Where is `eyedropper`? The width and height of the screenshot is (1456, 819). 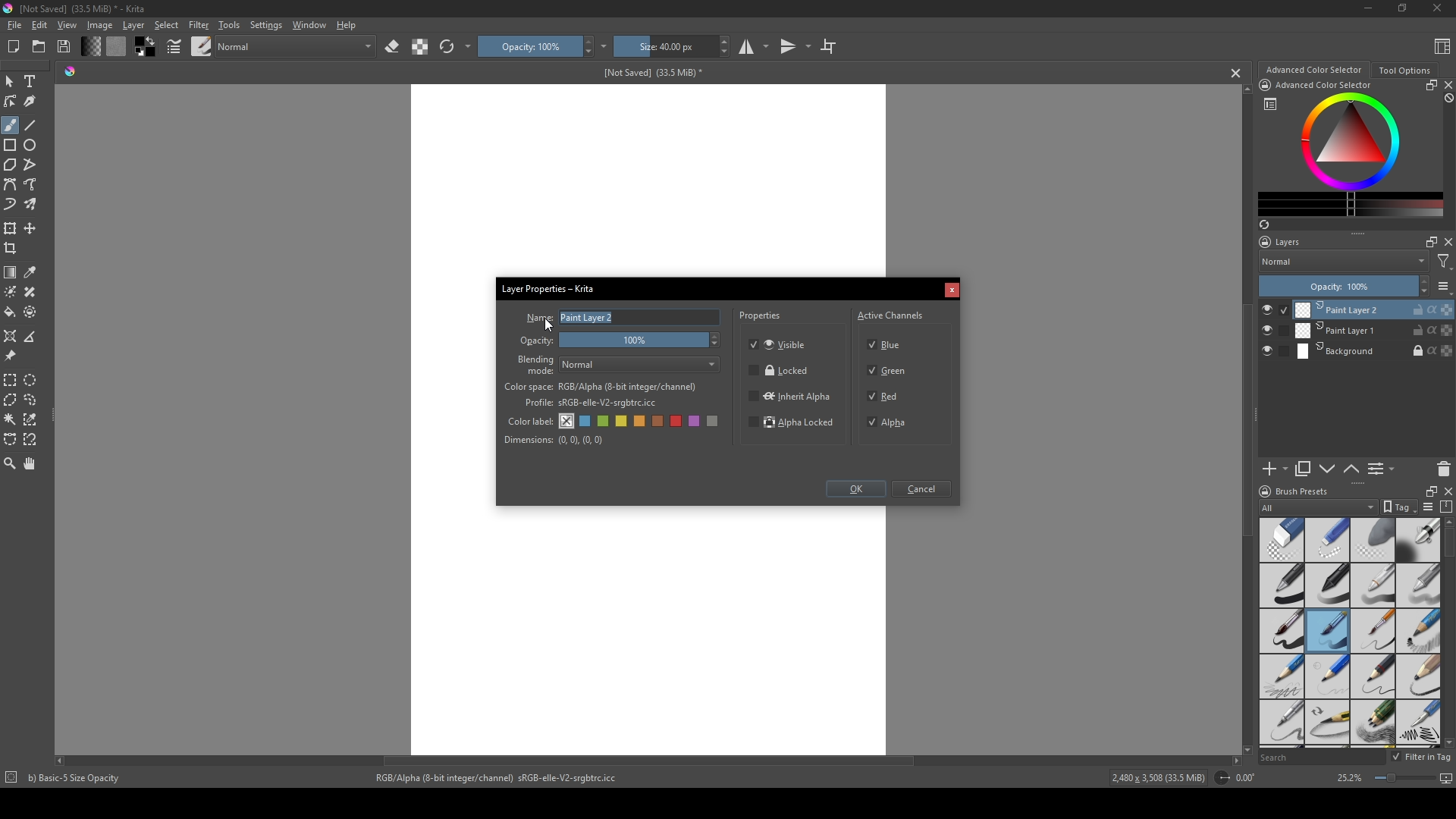 eyedropper is located at coordinates (32, 272).